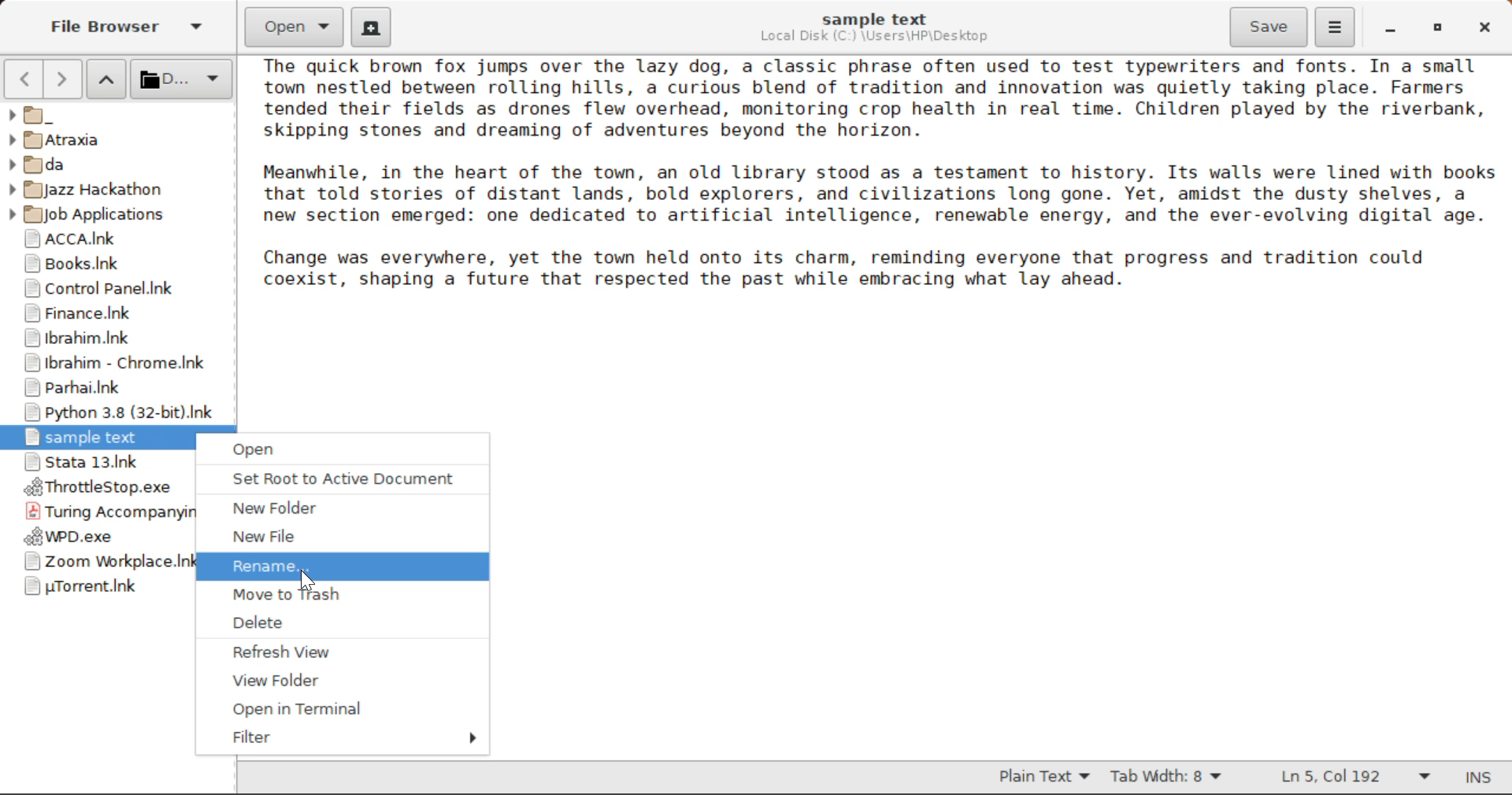 Image resolution: width=1512 pixels, height=795 pixels. Describe the element at coordinates (339, 710) in the screenshot. I see `Open in Terminal` at that location.